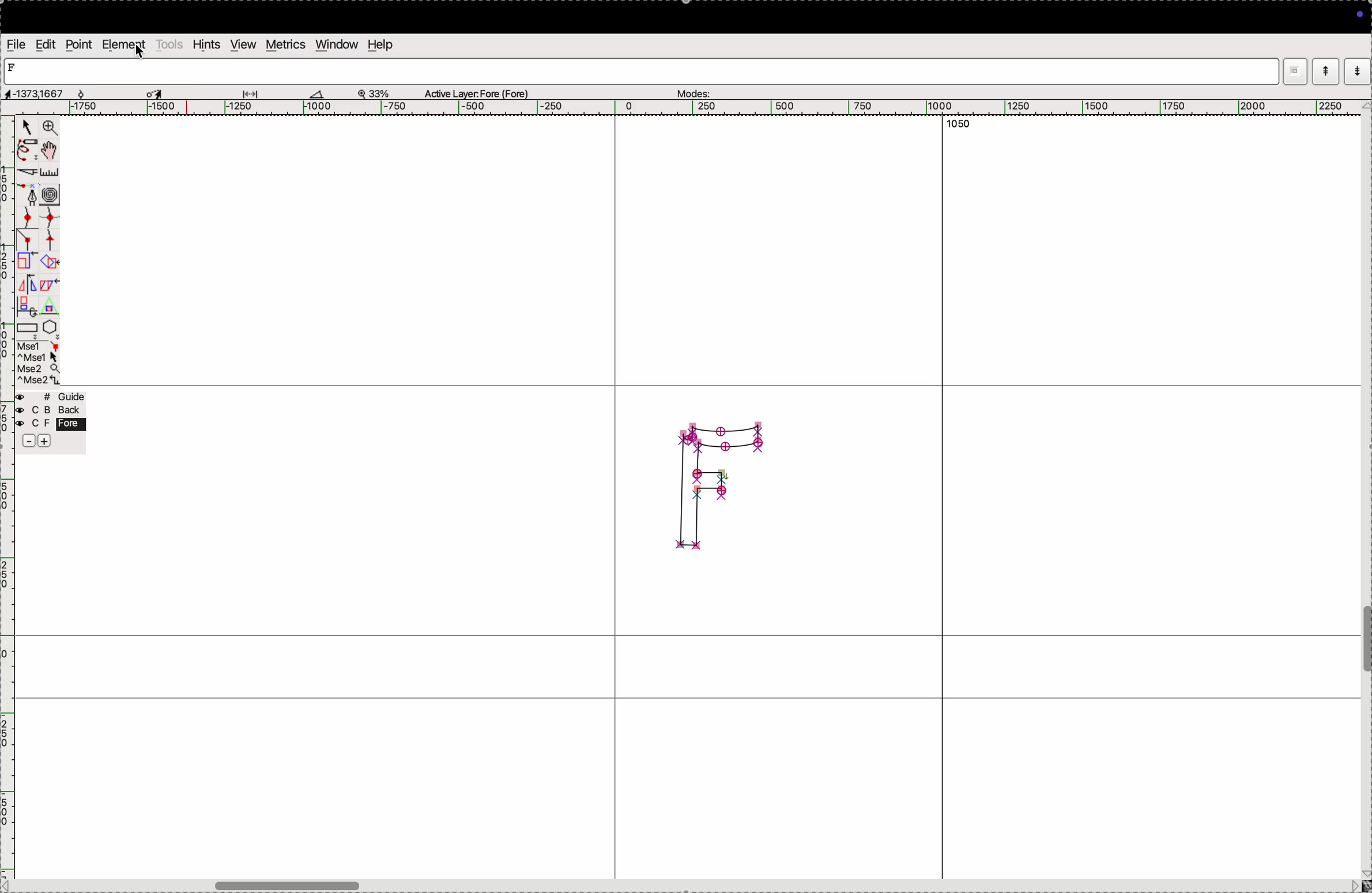  Describe the element at coordinates (32, 196) in the screenshot. I see `fountain pen` at that location.